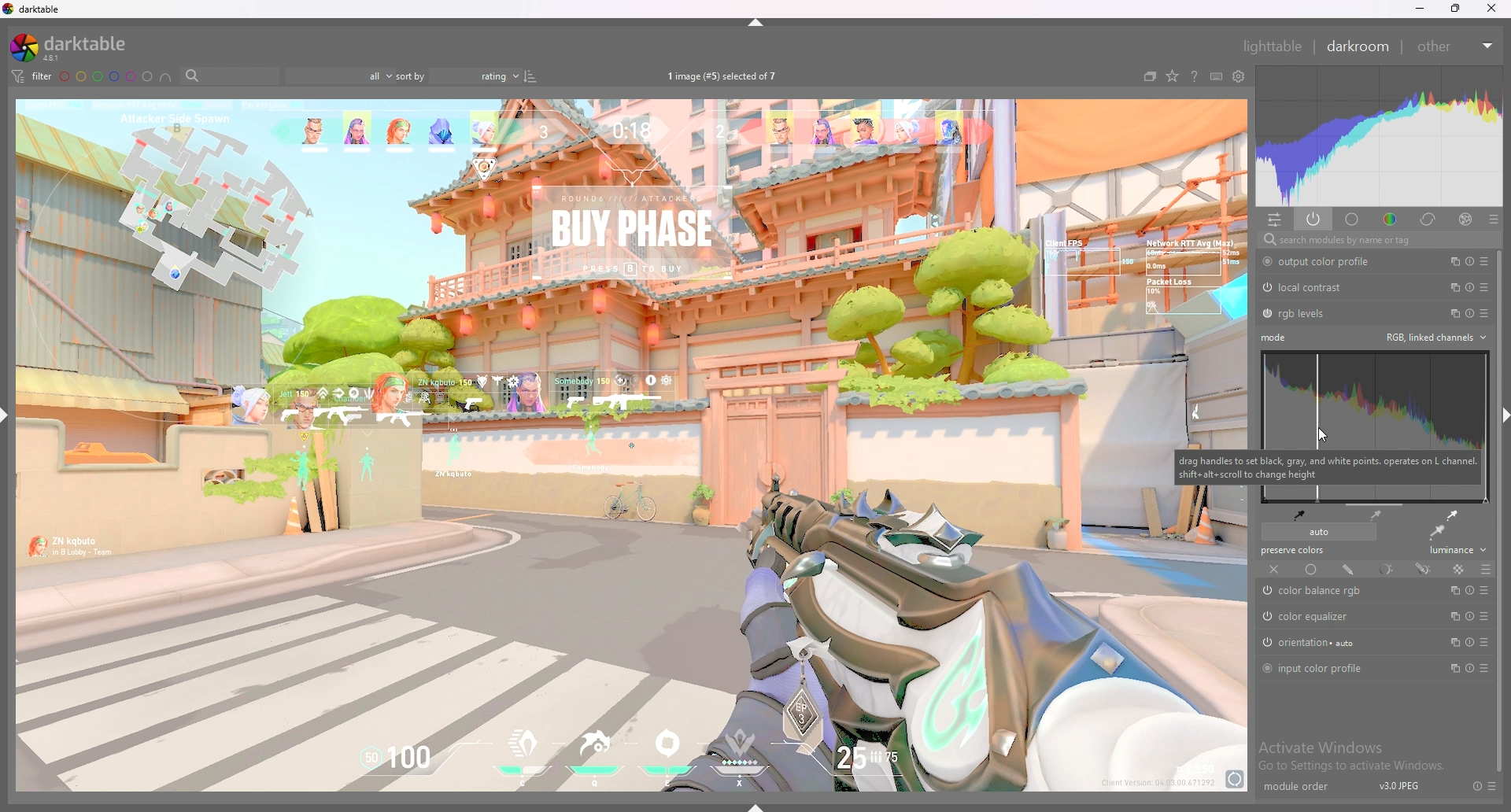 The height and width of the screenshot is (812, 1511). What do you see at coordinates (1472, 785) in the screenshot?
I see `reset` at bounding box center [1472, 785].